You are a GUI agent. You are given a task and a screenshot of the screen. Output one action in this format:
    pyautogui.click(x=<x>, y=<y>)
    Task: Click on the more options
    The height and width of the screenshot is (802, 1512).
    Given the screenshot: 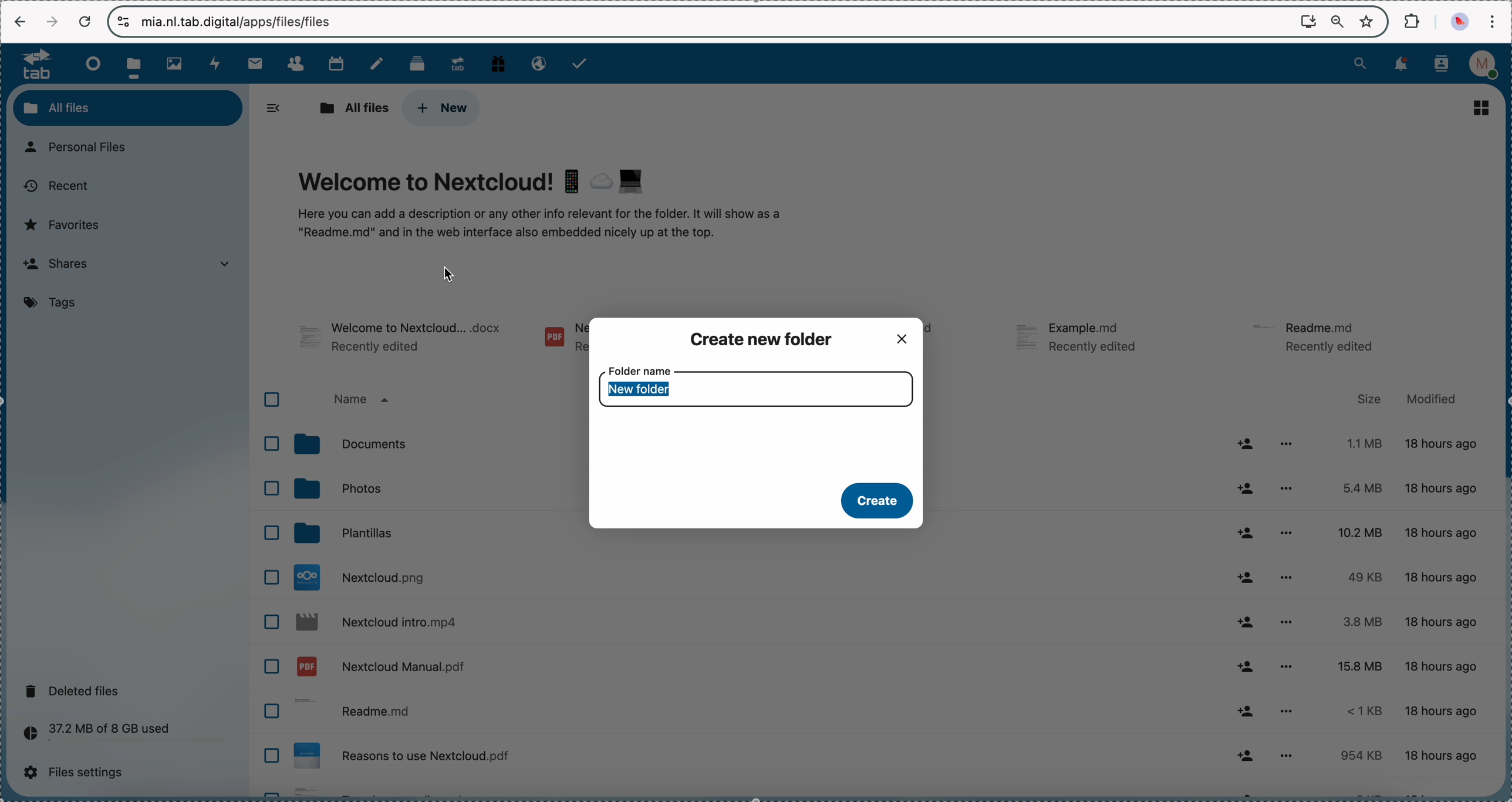 What is the action you would take?
    pyautogui.click(x=1287, y=489)
    